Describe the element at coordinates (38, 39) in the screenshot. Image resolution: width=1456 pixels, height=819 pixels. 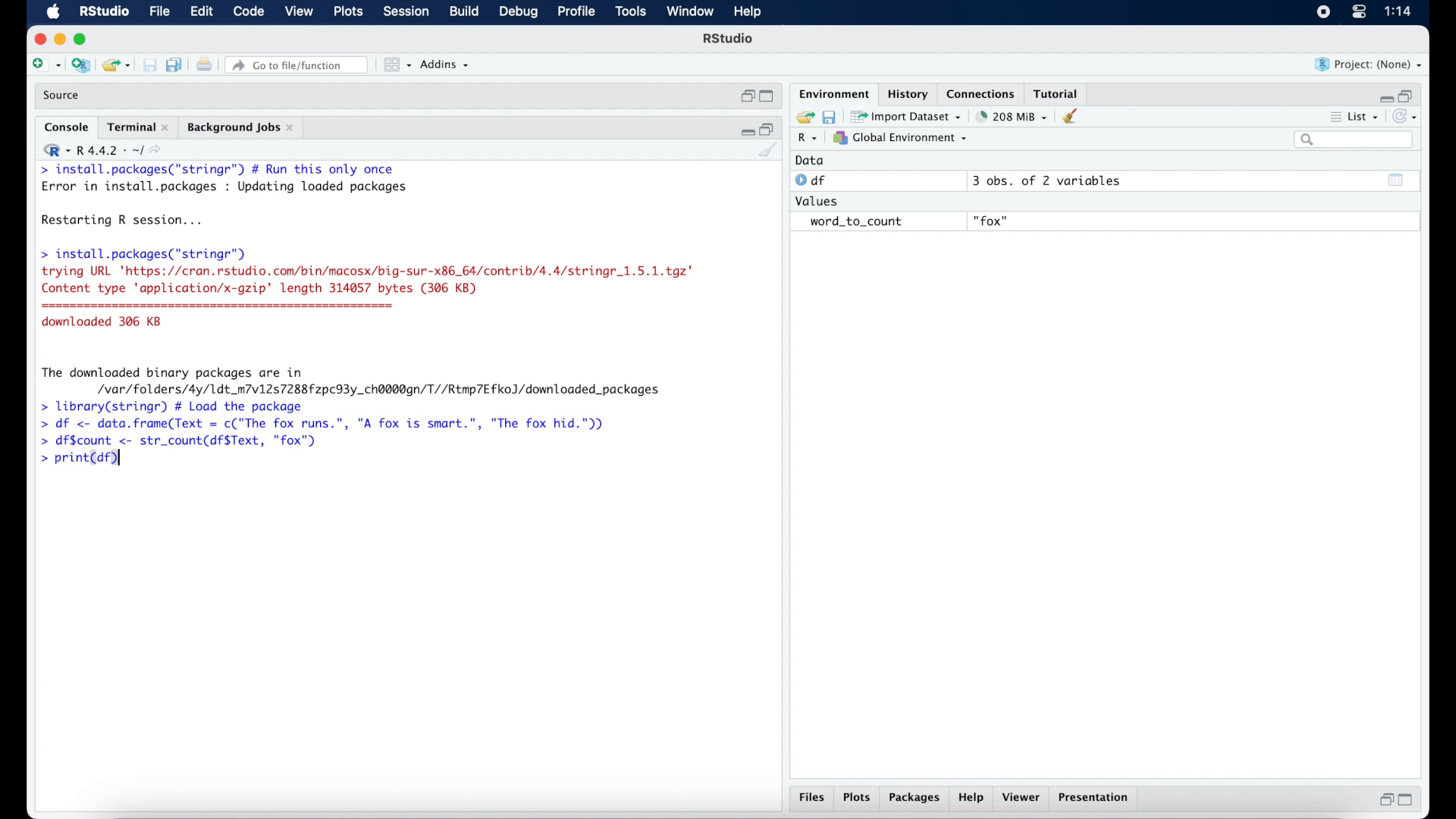
I see `close` at that location.